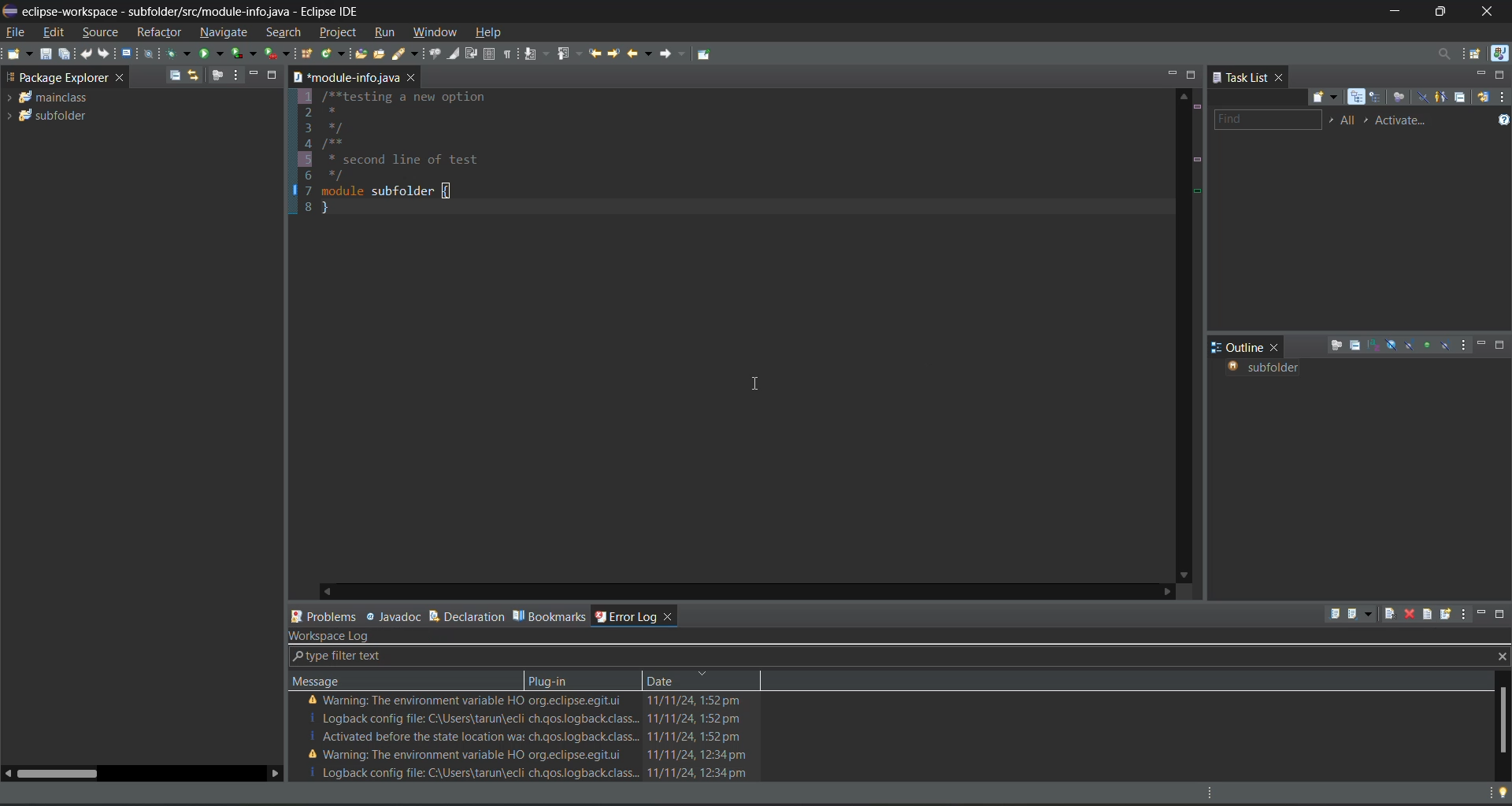 Image resolution: width=1512 pixels, height=806 pixels. Describe the element at coordinates (1358, 98) in the screenshot. I see `categorized` at that location.